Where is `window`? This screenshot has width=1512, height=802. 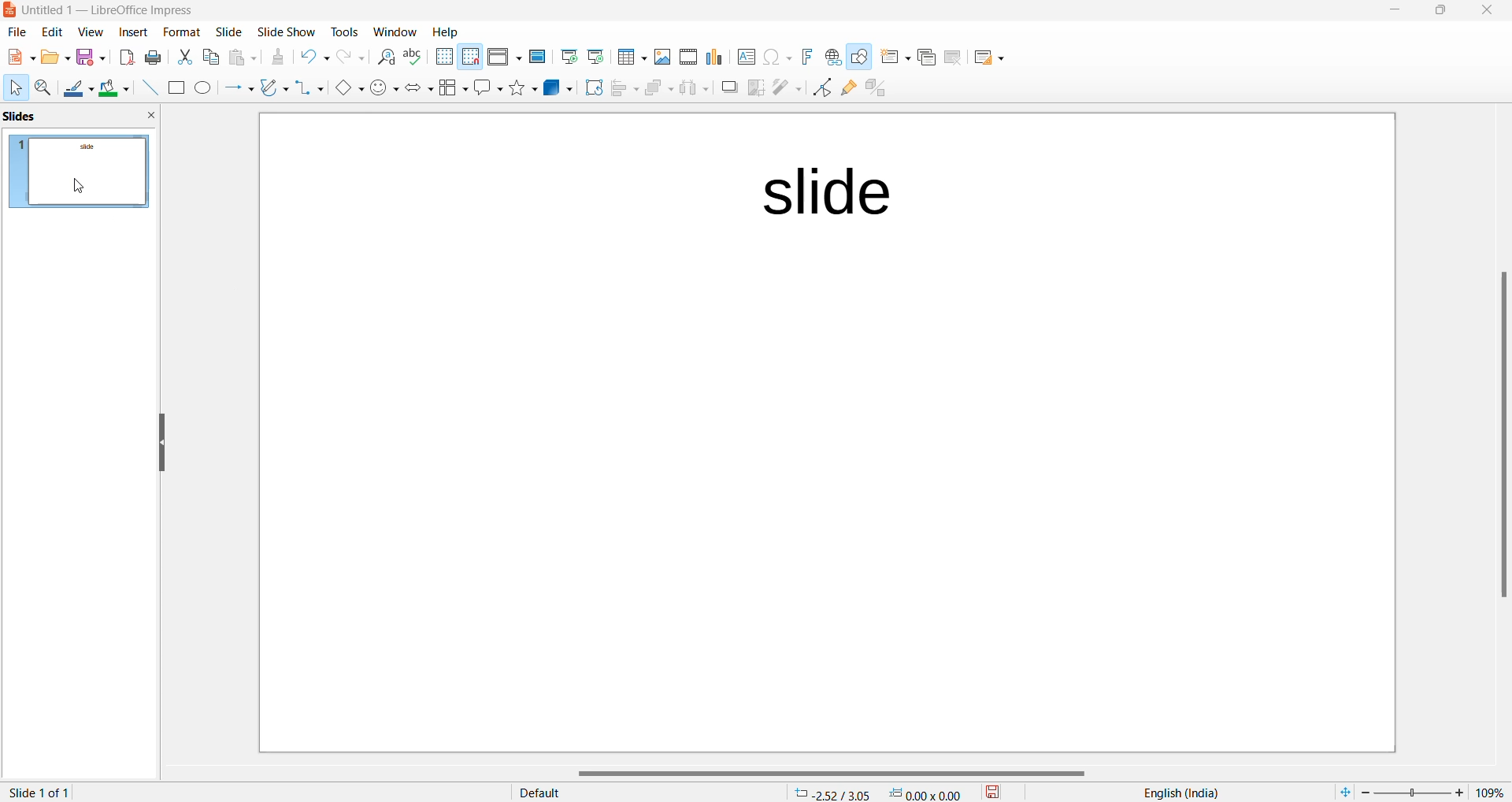
window is located at coordinates (395, 32).